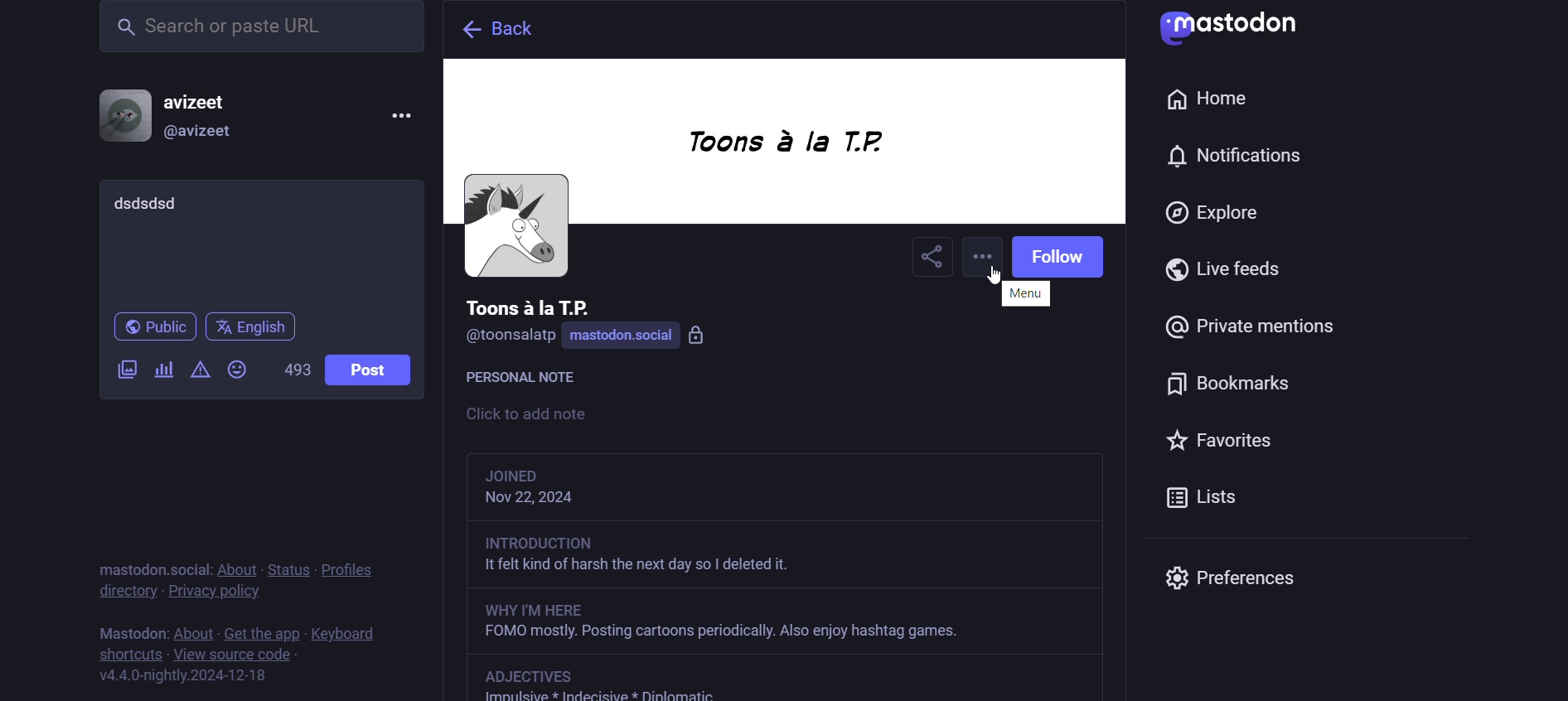  What do you see at coordinates (1026, 294) in the screenshot?
I see `menu` at bounding box center [1026, 294].